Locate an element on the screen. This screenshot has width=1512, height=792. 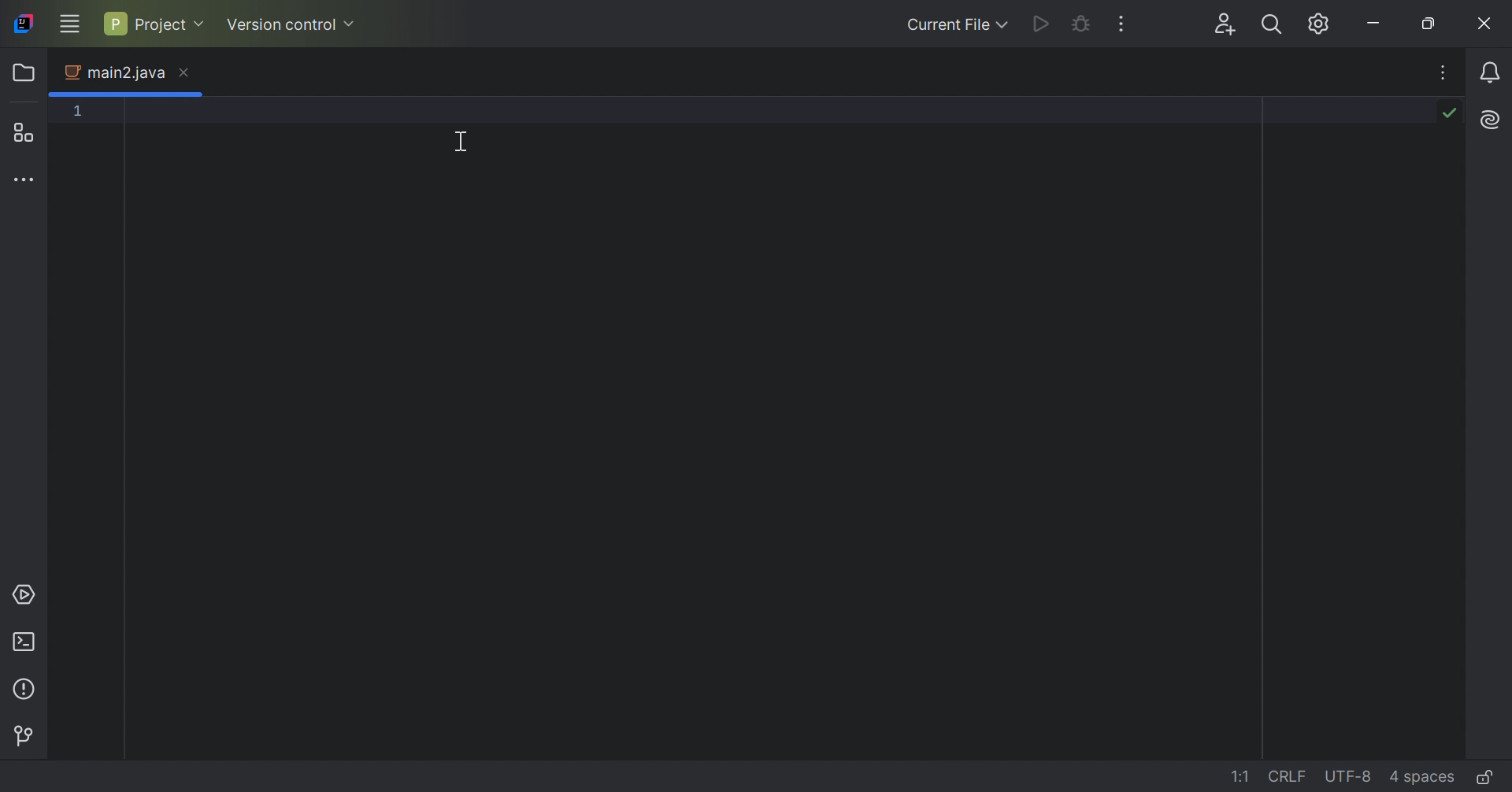
AL Assistant is located at coordinates (1493, 120).